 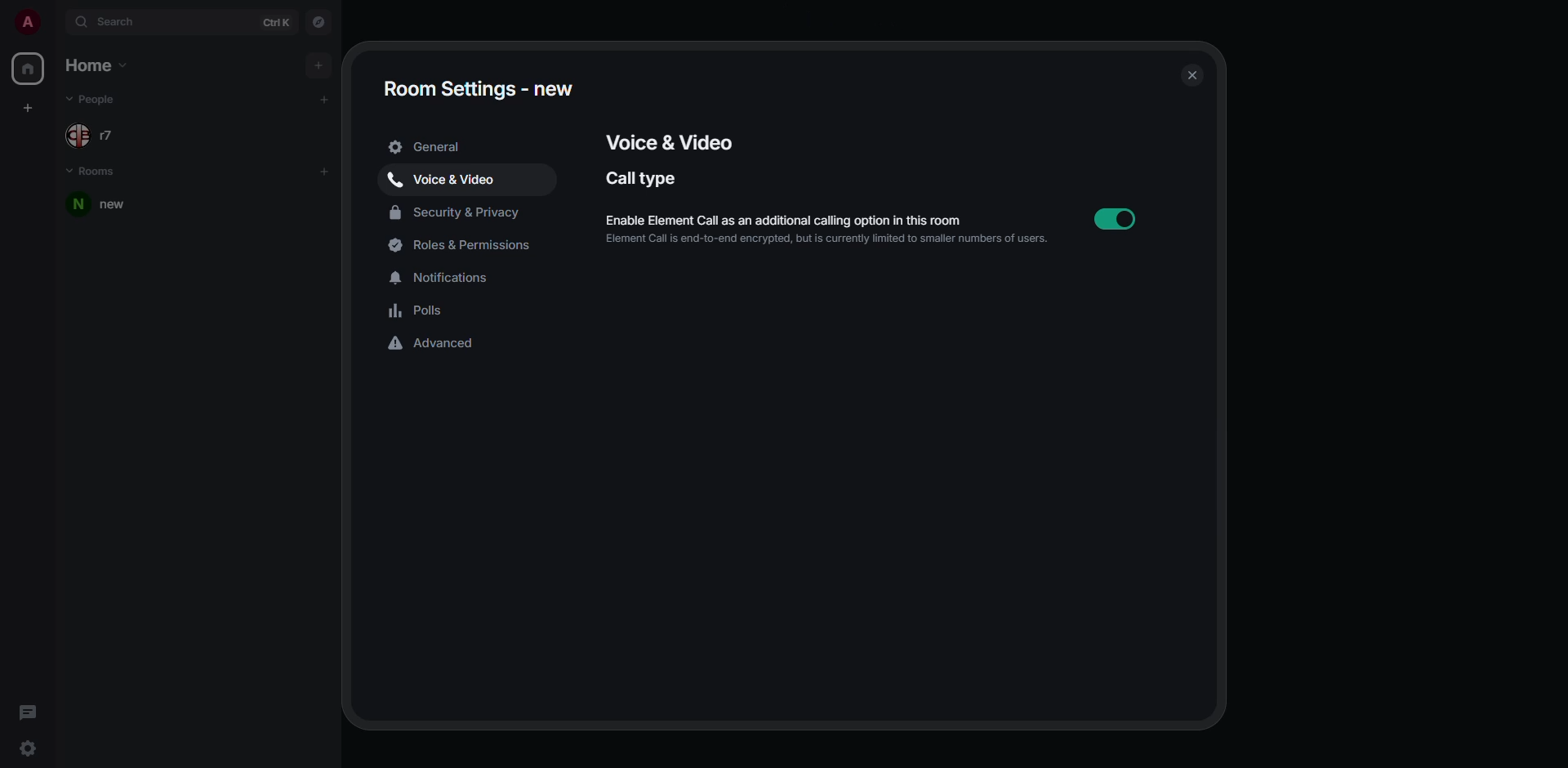 What do you see at coordinates (665, 141) in the screenshot?
I see `voice & video` at bounding box center [665, 141].